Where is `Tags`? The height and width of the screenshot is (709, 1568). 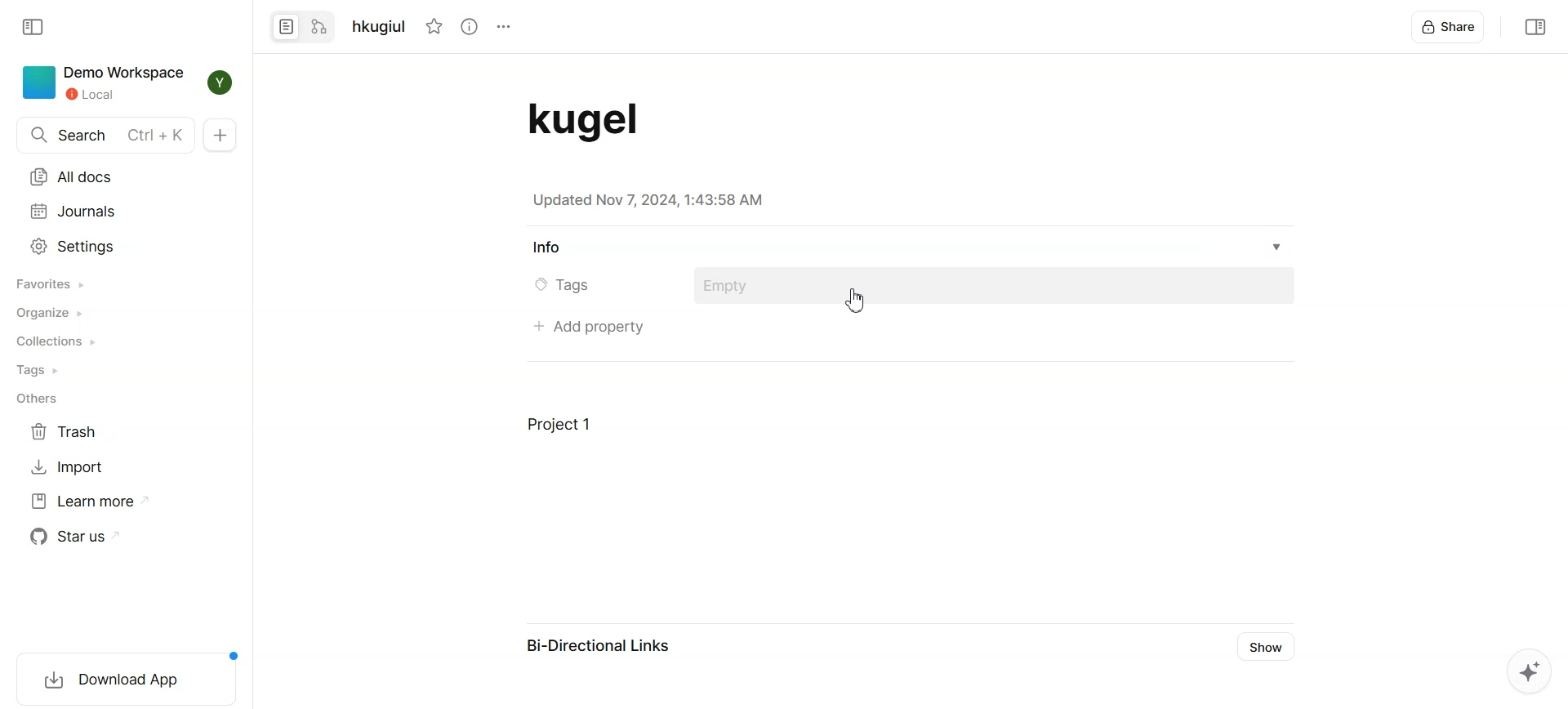 Tags is located at coordinates (40, 371).